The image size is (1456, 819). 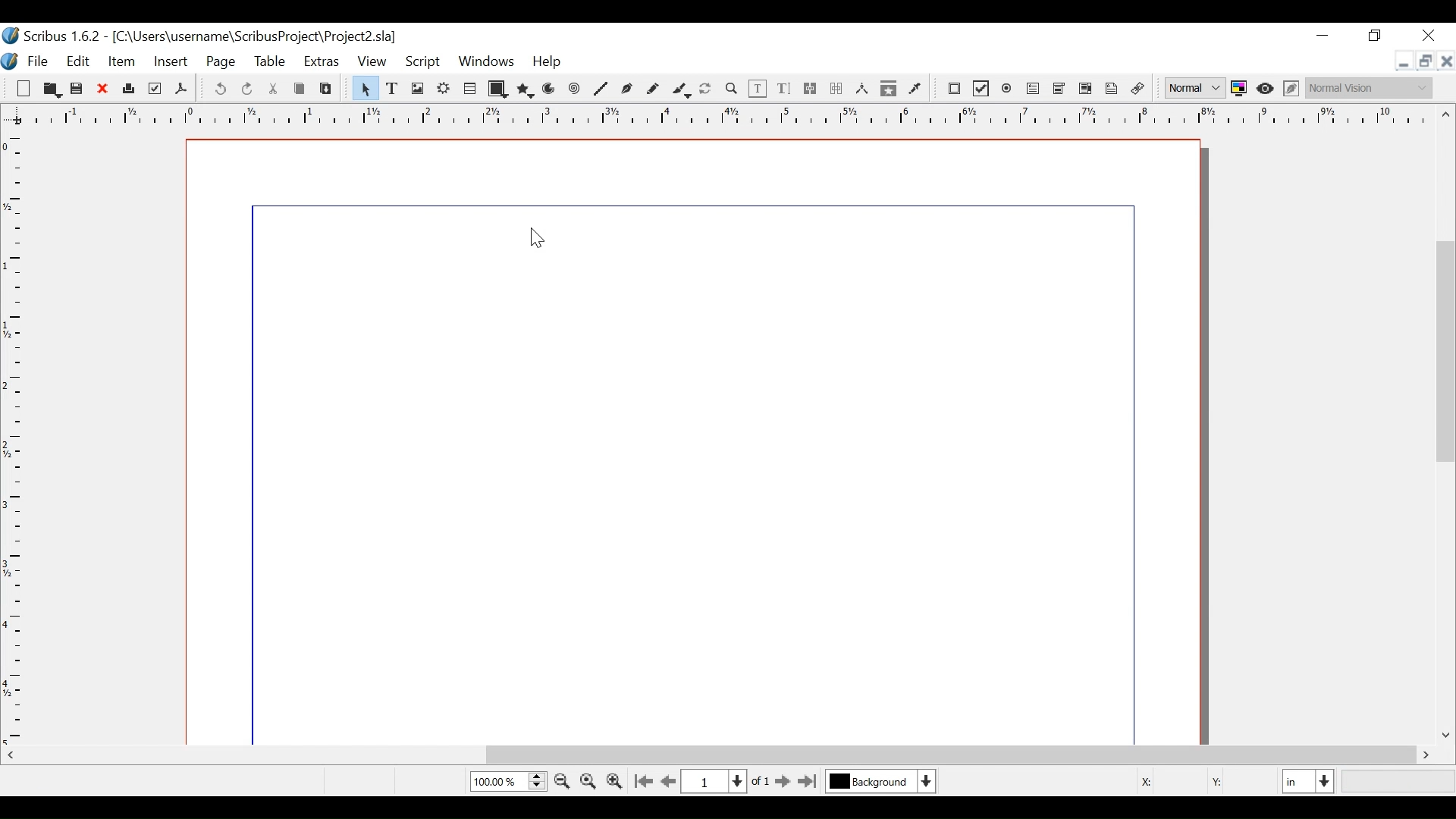 I want to click on minimize, so click(x=1399, y=62).